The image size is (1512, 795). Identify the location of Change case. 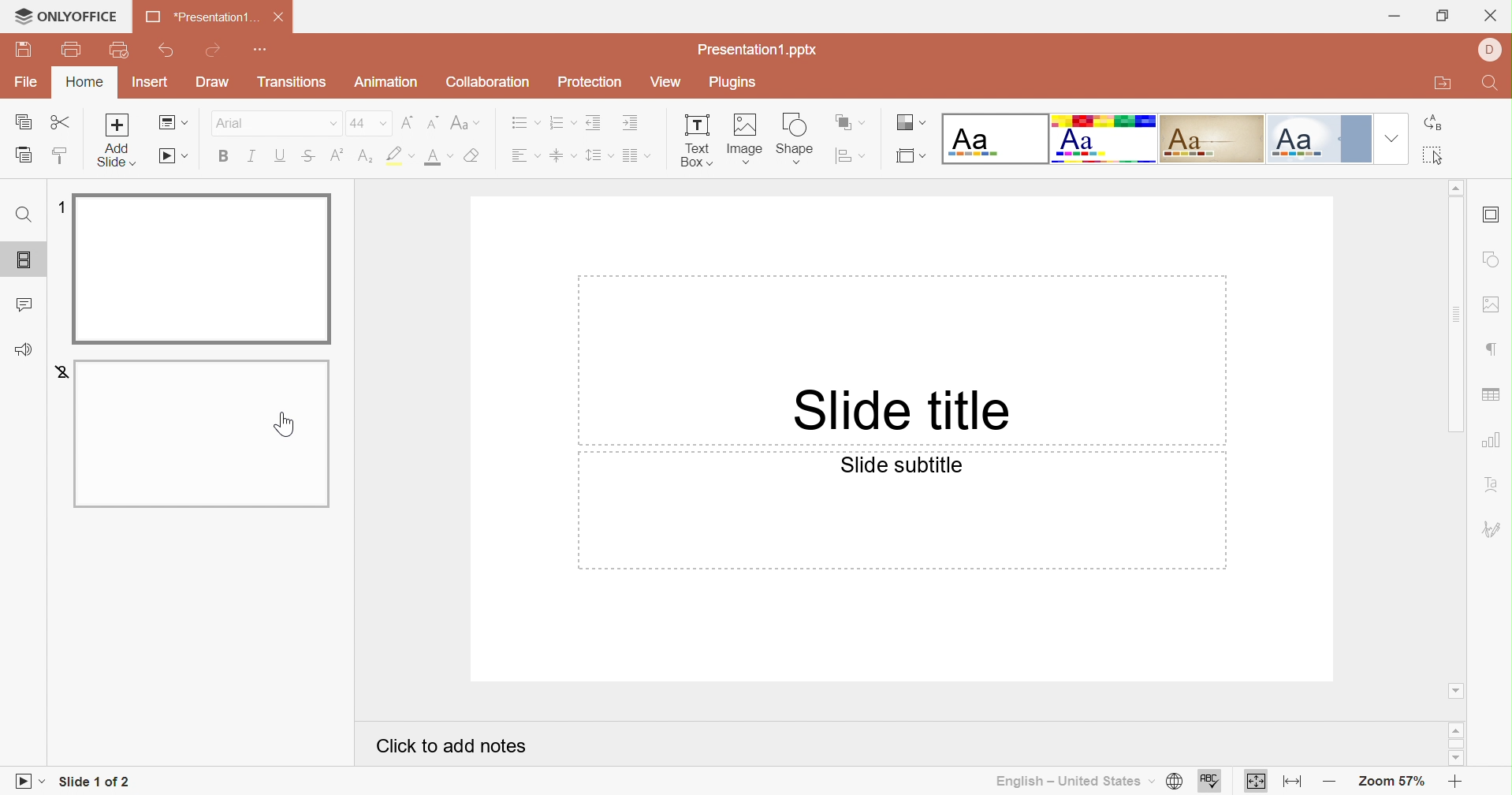
(466, 122).